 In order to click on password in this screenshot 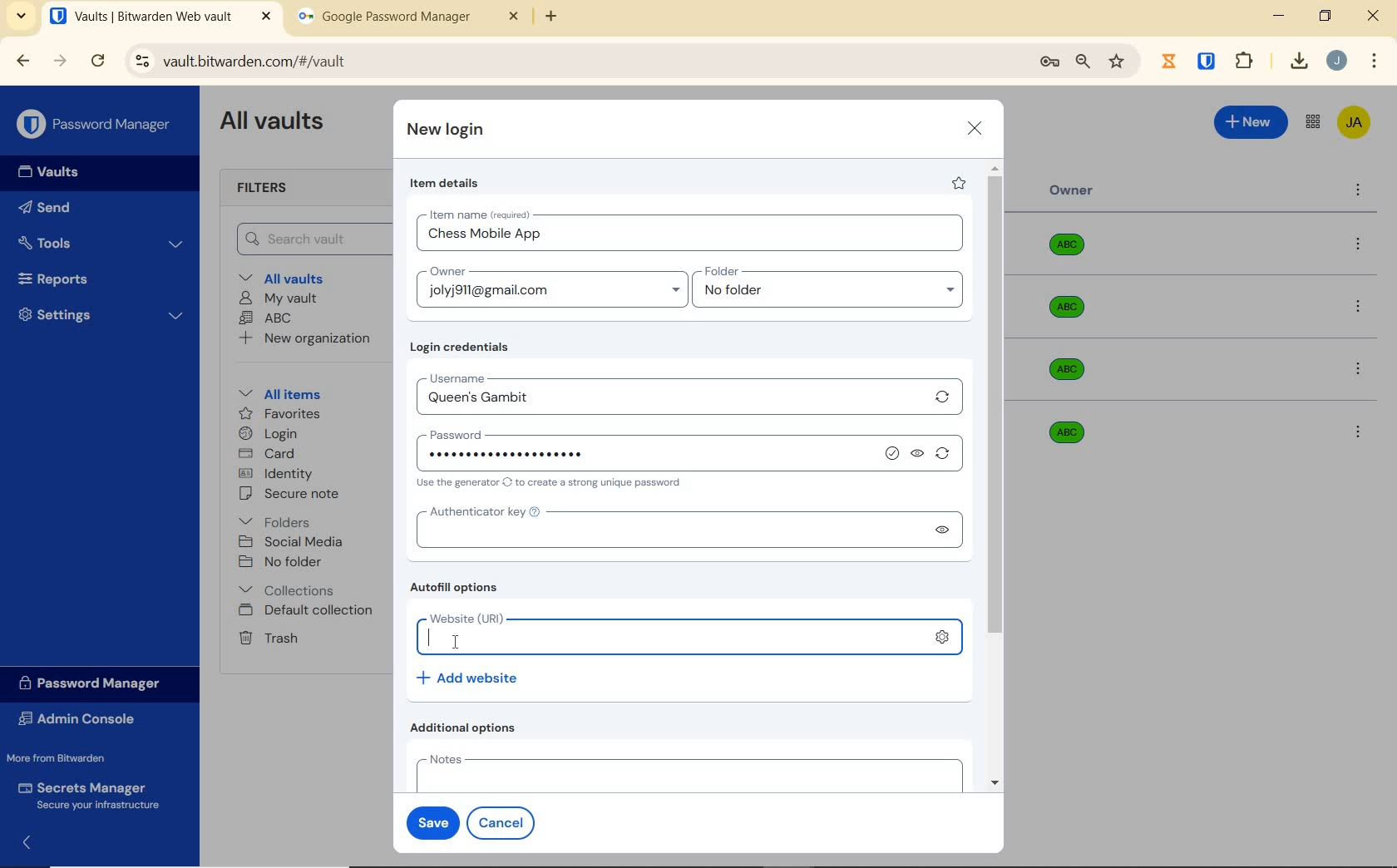, I will do `click(514, 432)`.